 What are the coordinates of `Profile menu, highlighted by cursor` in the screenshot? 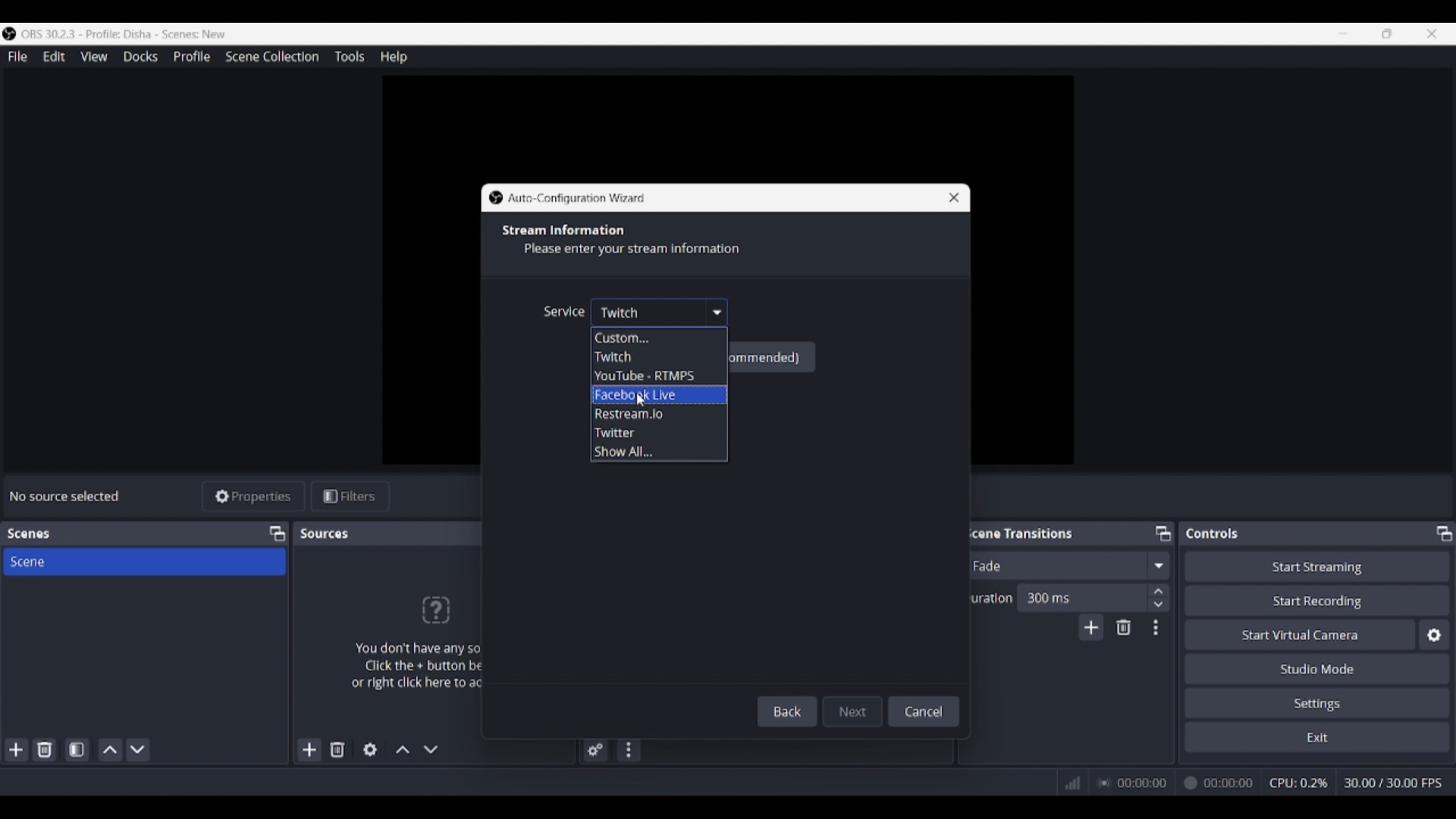 It's located at (192, 57).